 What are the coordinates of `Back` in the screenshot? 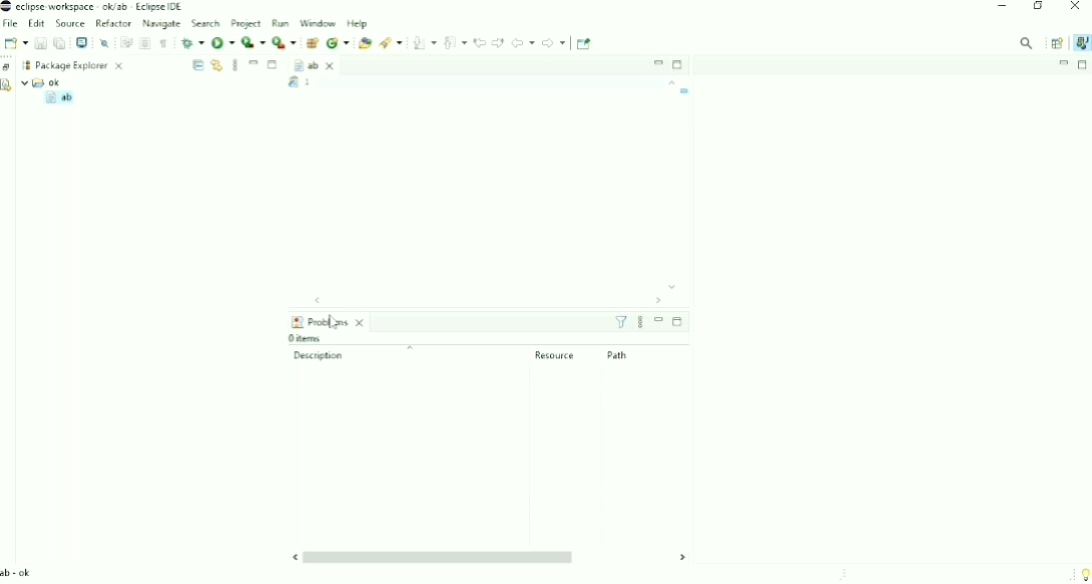 It's located at (523, 42).